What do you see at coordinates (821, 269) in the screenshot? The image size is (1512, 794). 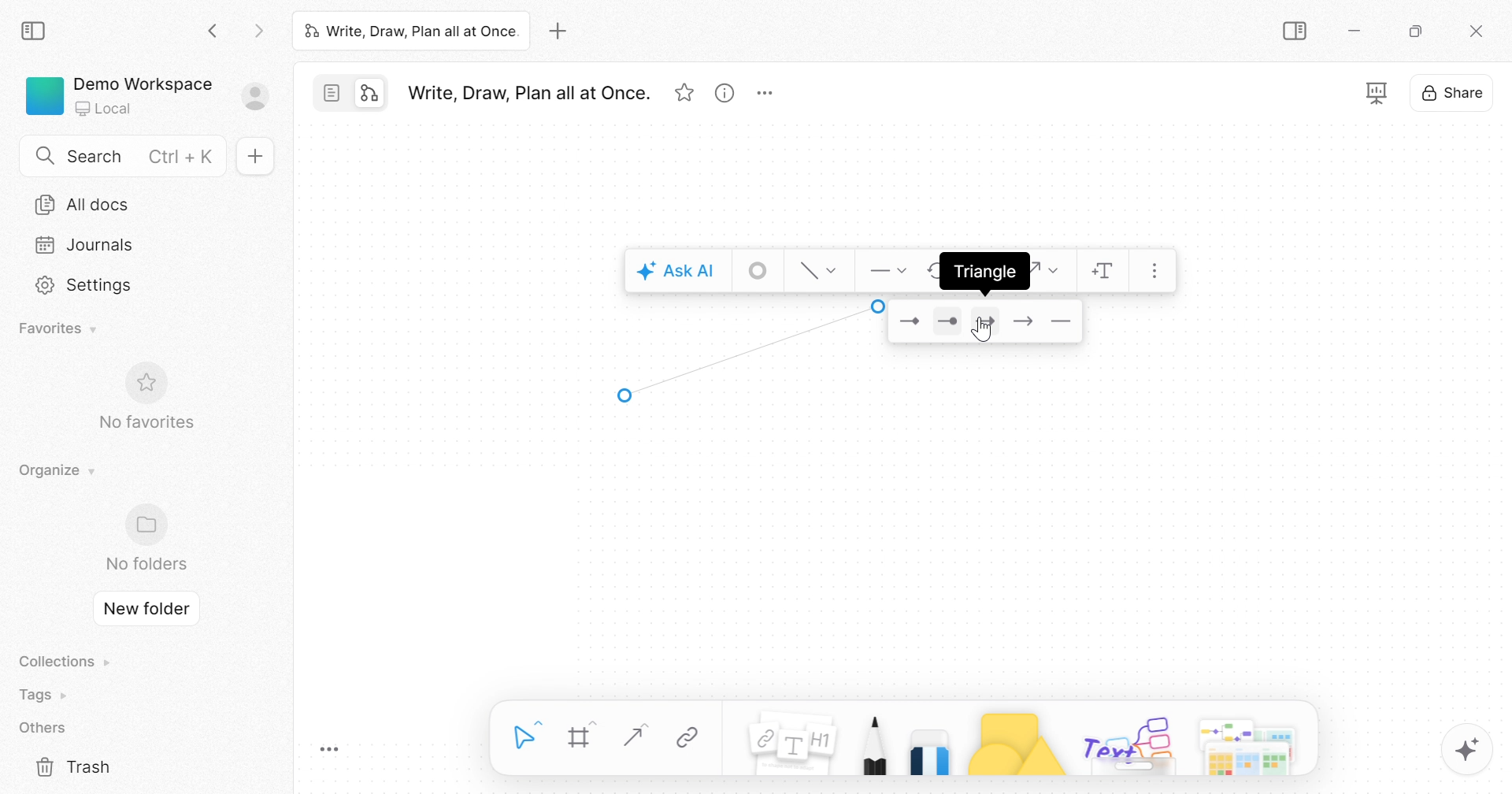 I see `Style` at bounding box center [821, 269].